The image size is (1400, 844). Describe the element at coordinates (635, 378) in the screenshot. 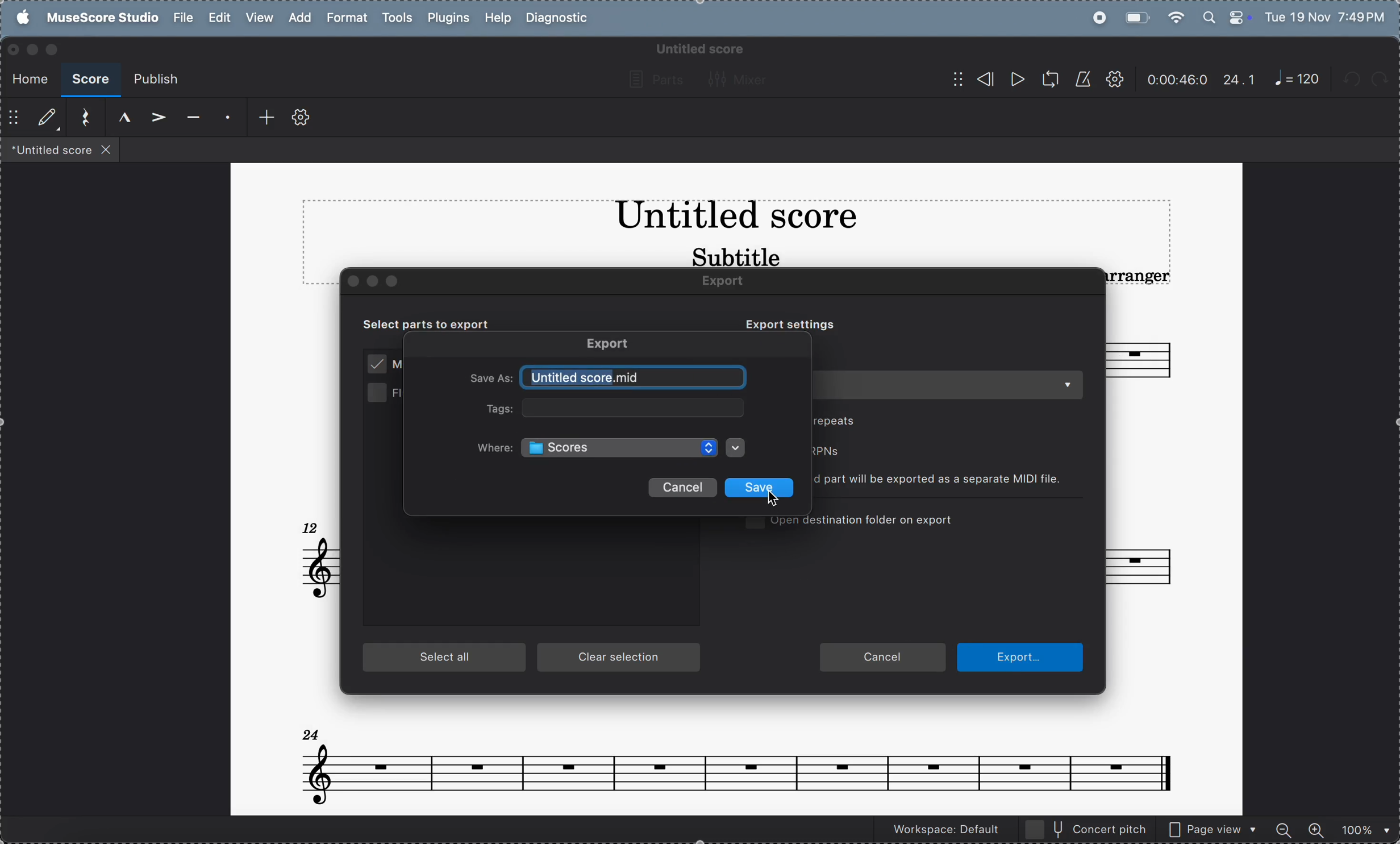

I see `untitled score` at that location.